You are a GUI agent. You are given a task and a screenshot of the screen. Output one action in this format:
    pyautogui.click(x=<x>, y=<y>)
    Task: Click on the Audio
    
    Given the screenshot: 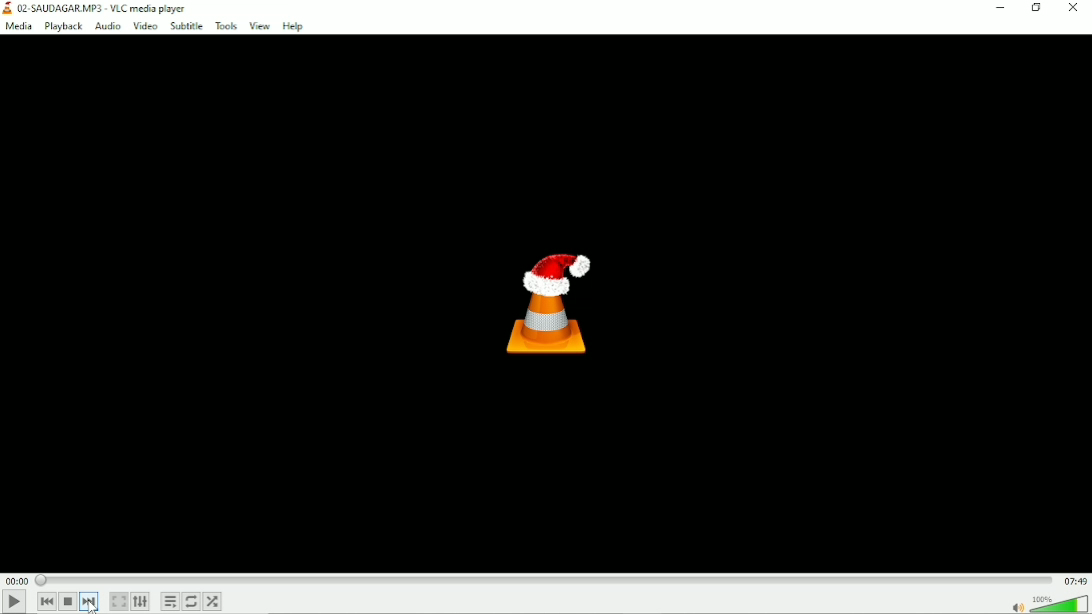 What is the action you would take?
    pyautogui.click(x=106, y=26)
    